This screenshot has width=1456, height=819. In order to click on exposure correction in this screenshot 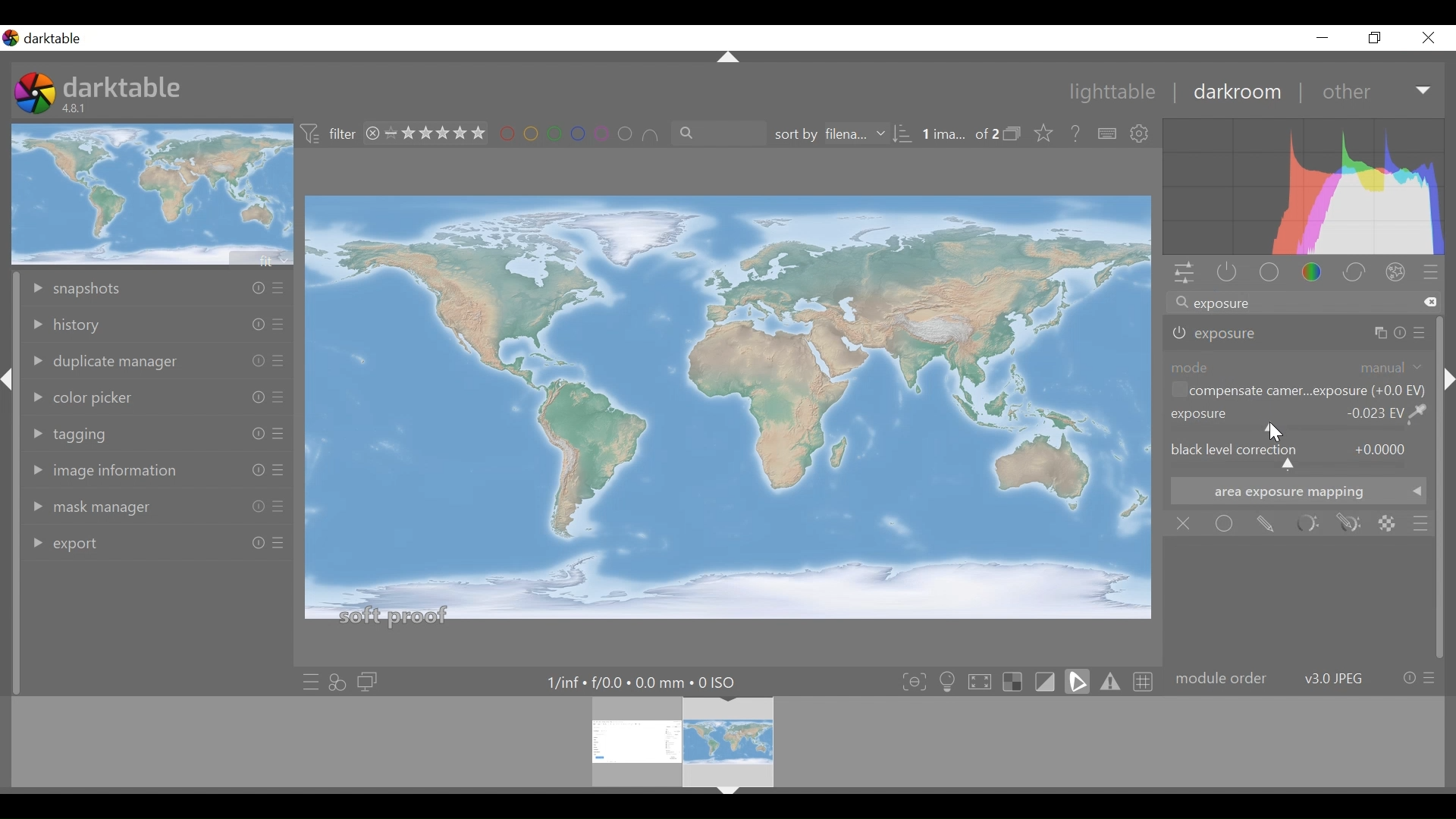, I will do `click(1301, 419)`.